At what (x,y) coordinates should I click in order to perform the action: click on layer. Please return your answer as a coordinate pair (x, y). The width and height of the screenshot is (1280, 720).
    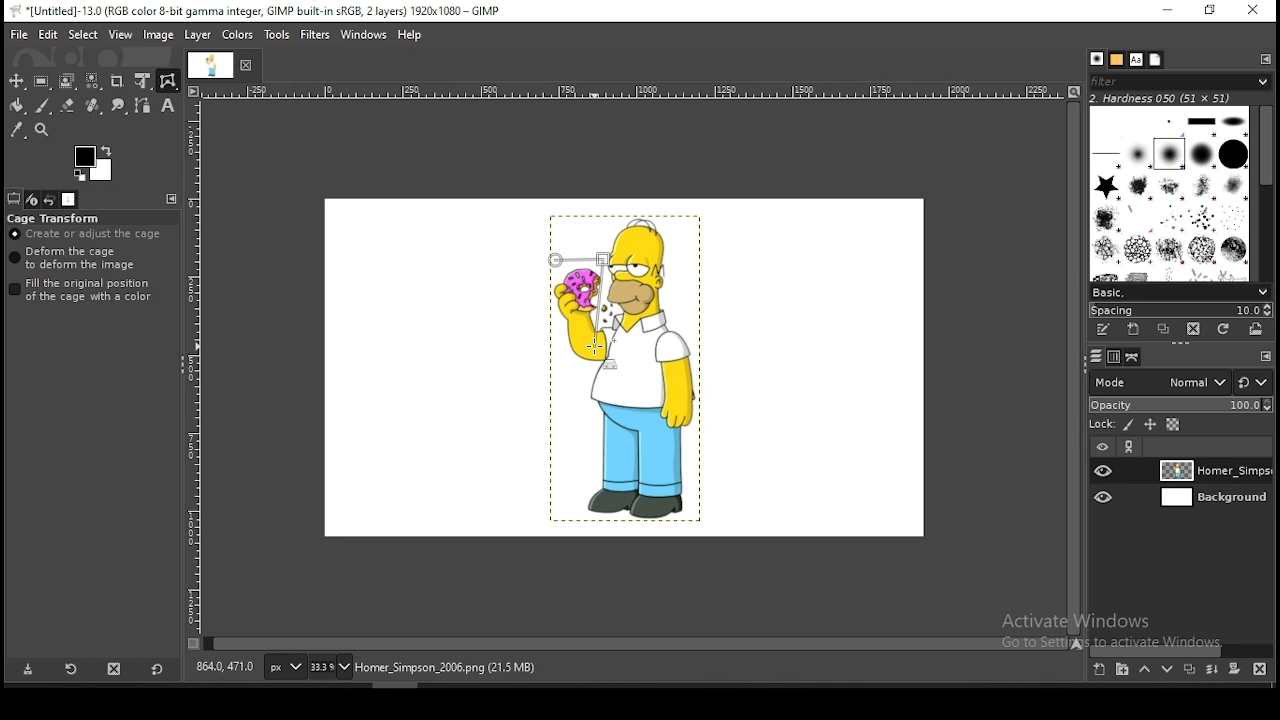
    Looking at the image, I should click on (1211, 499).